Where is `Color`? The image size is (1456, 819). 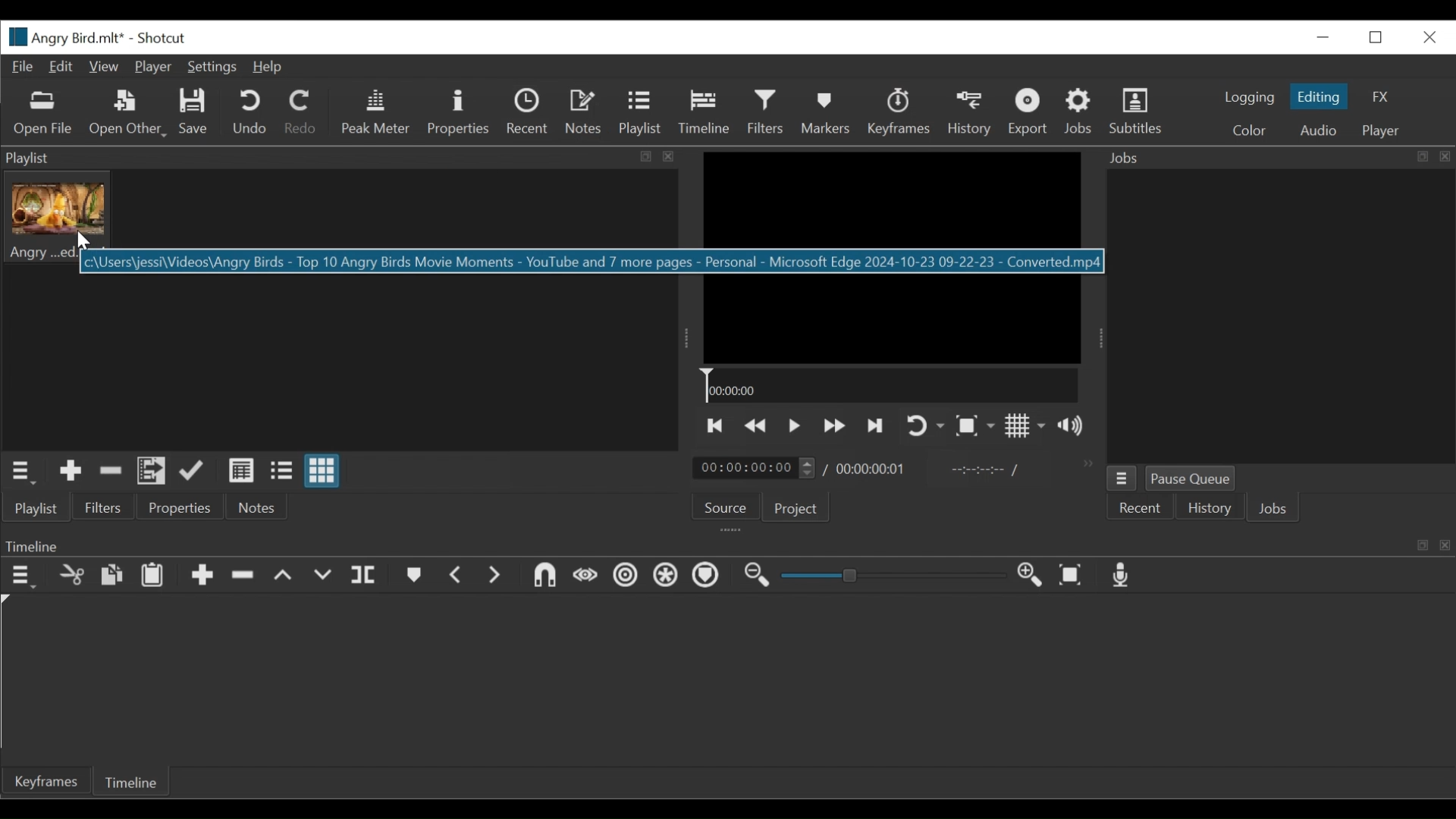 Color is located at coordinates (1254, 130).